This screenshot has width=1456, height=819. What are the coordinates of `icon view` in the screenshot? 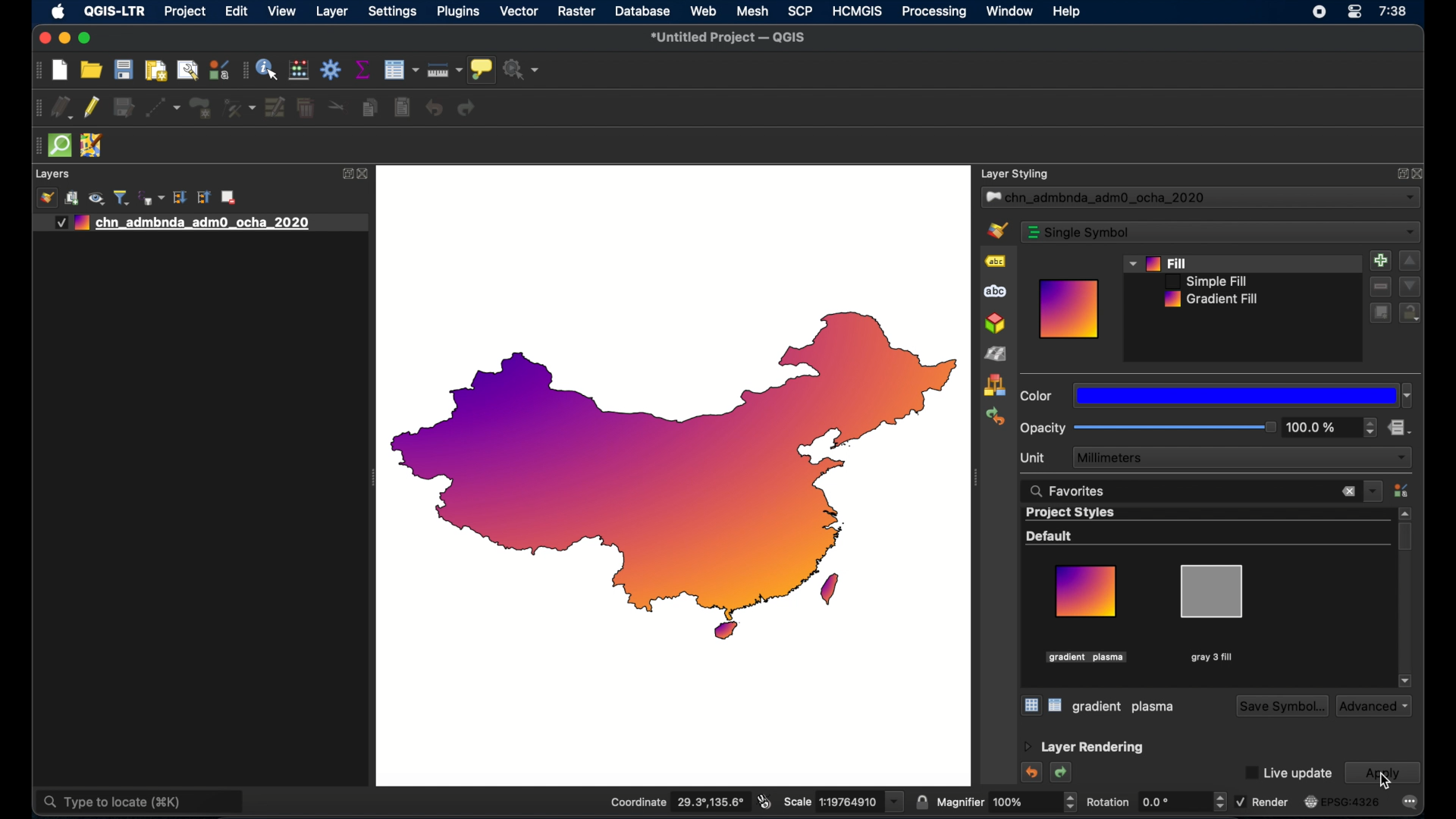 It's located at (1031, 704).